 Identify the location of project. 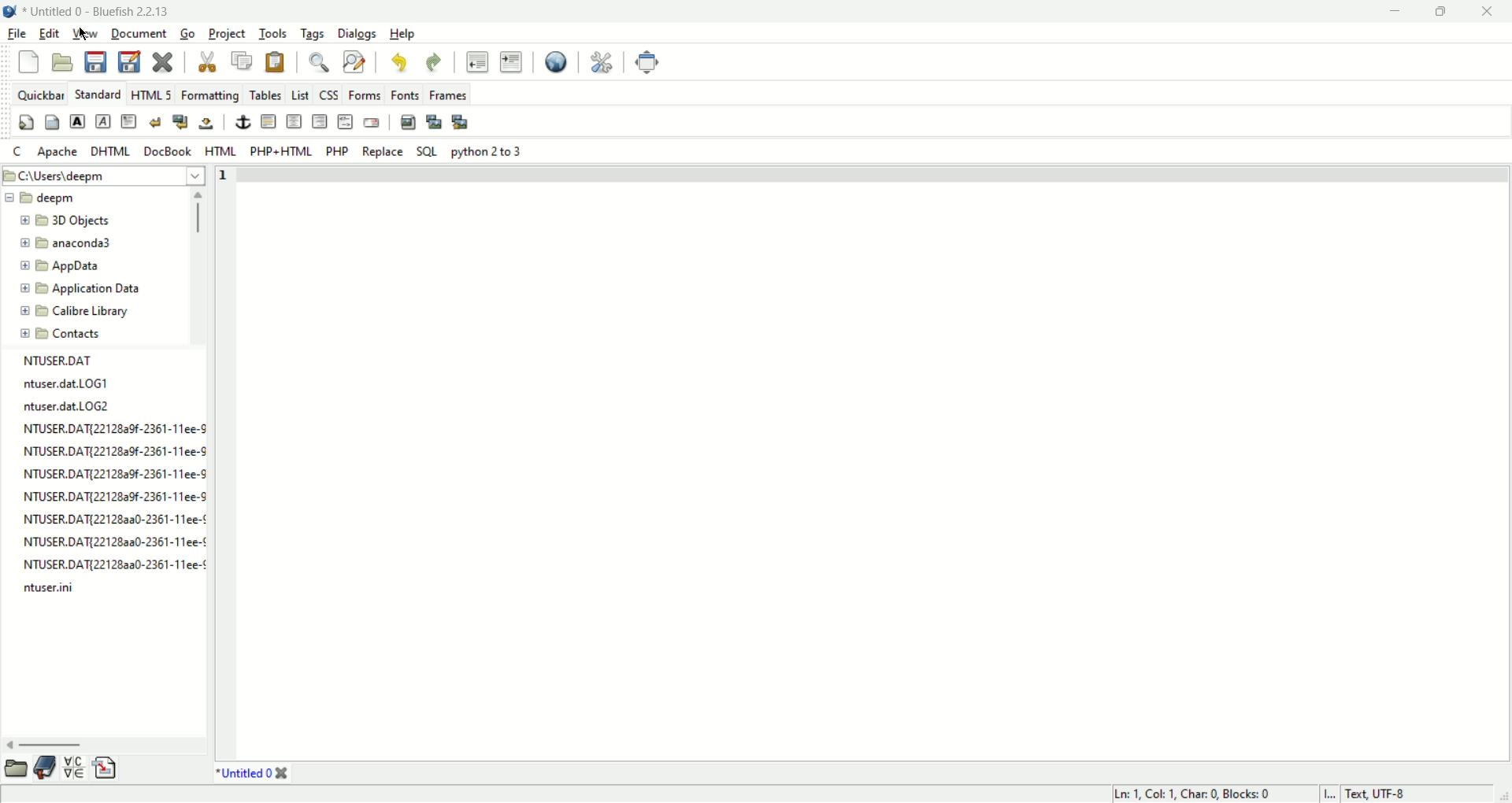
(228, 32).